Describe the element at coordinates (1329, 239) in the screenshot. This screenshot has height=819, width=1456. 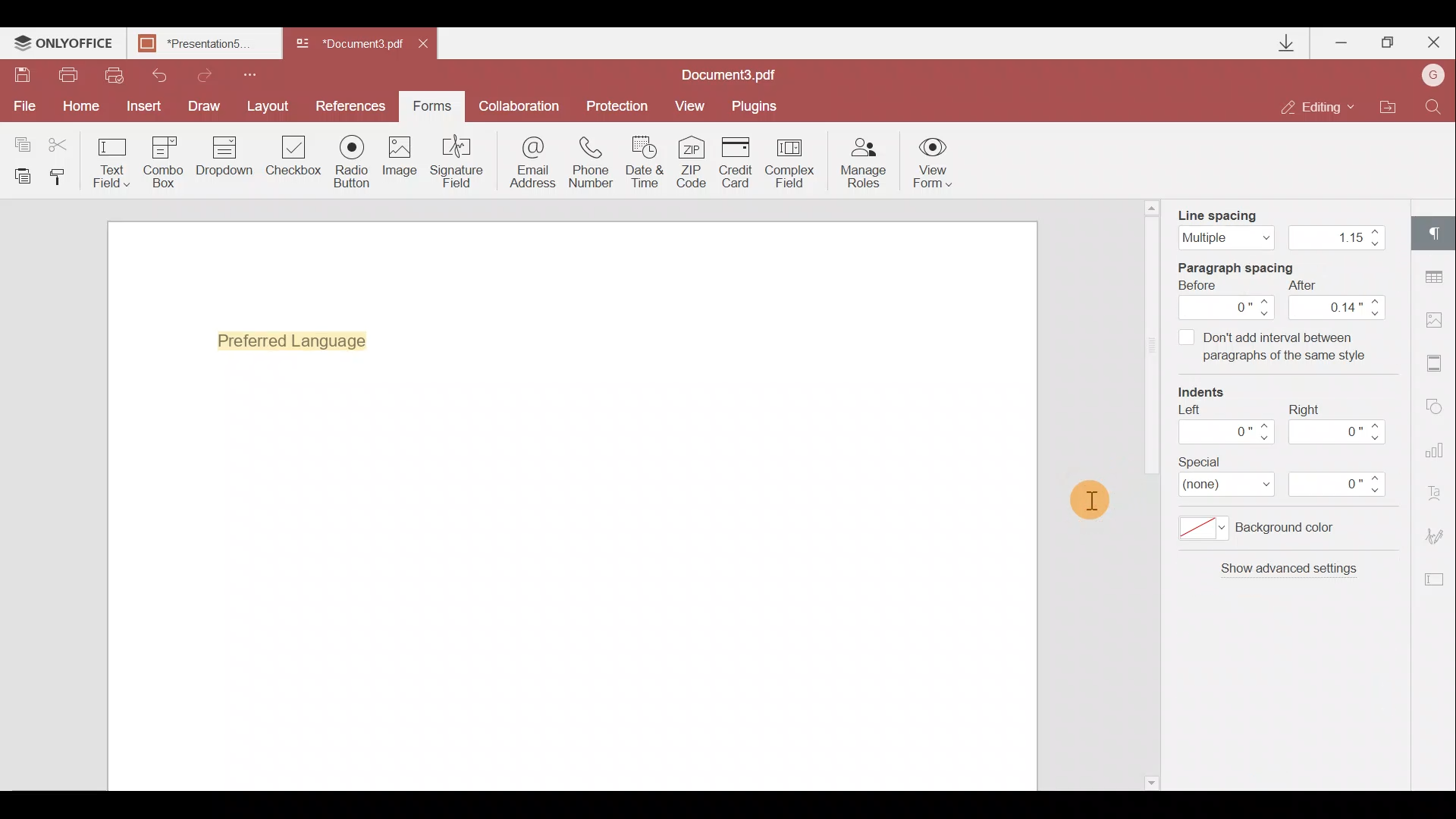
I see `1.15` at that location.